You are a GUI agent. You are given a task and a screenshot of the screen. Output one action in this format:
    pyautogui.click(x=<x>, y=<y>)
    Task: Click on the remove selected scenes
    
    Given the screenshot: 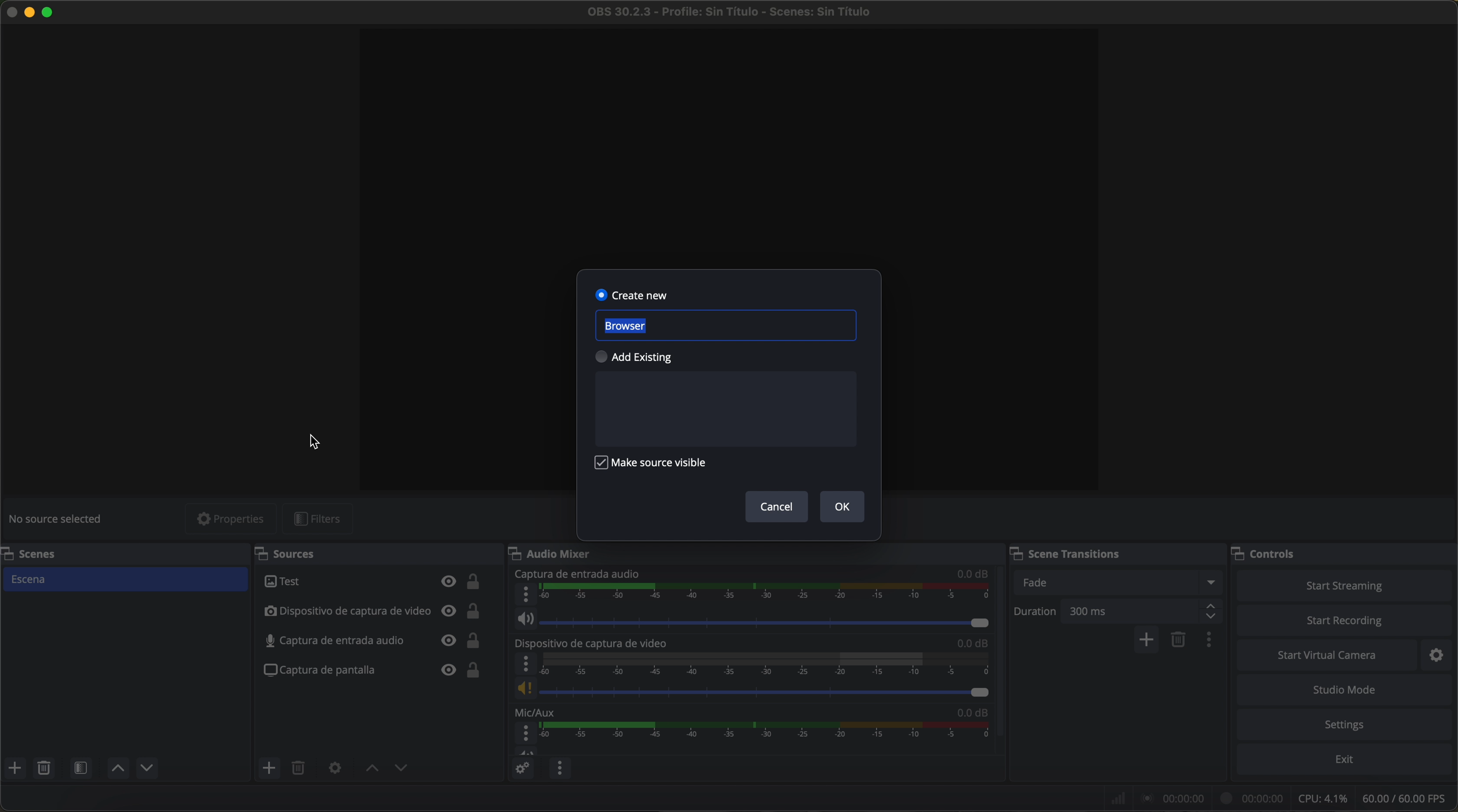 What is the action you would take?
    pyautogui.click(x=44, y=768)
    